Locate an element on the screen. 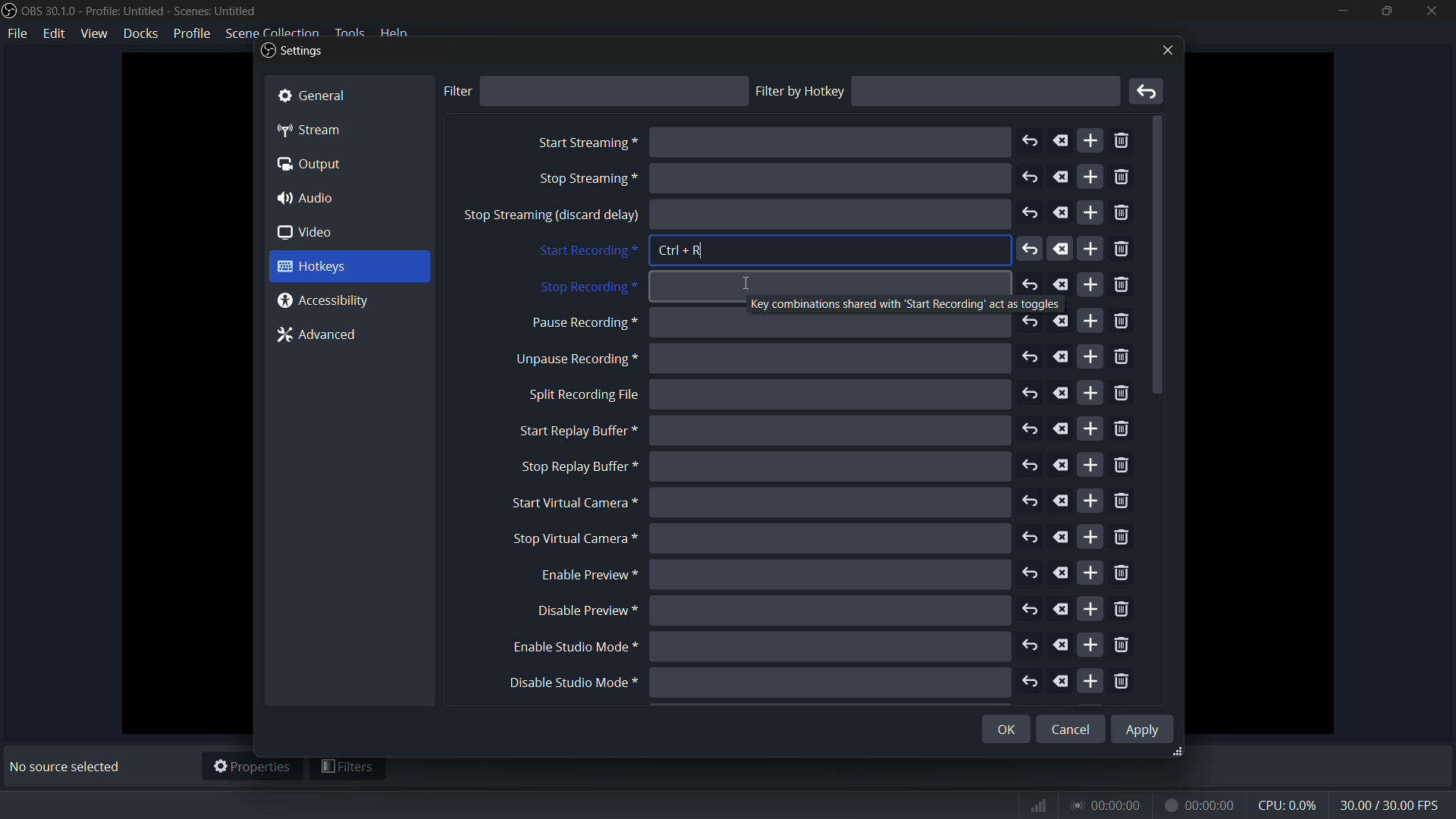  @ Accessibility is located at coordinates (330, 301).